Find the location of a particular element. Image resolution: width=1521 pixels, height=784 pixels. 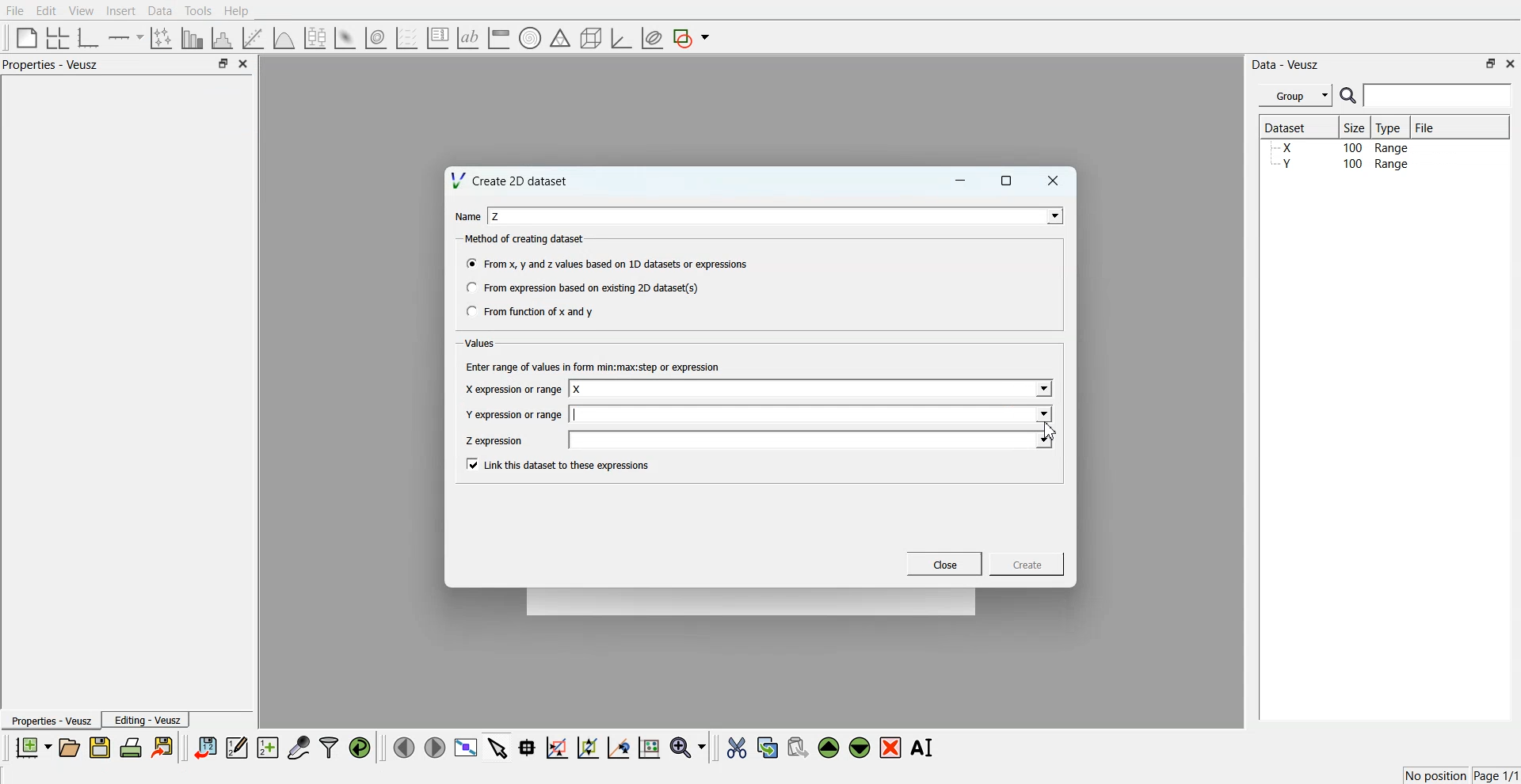

Ternary Graph is located at coordinates (560, 37).